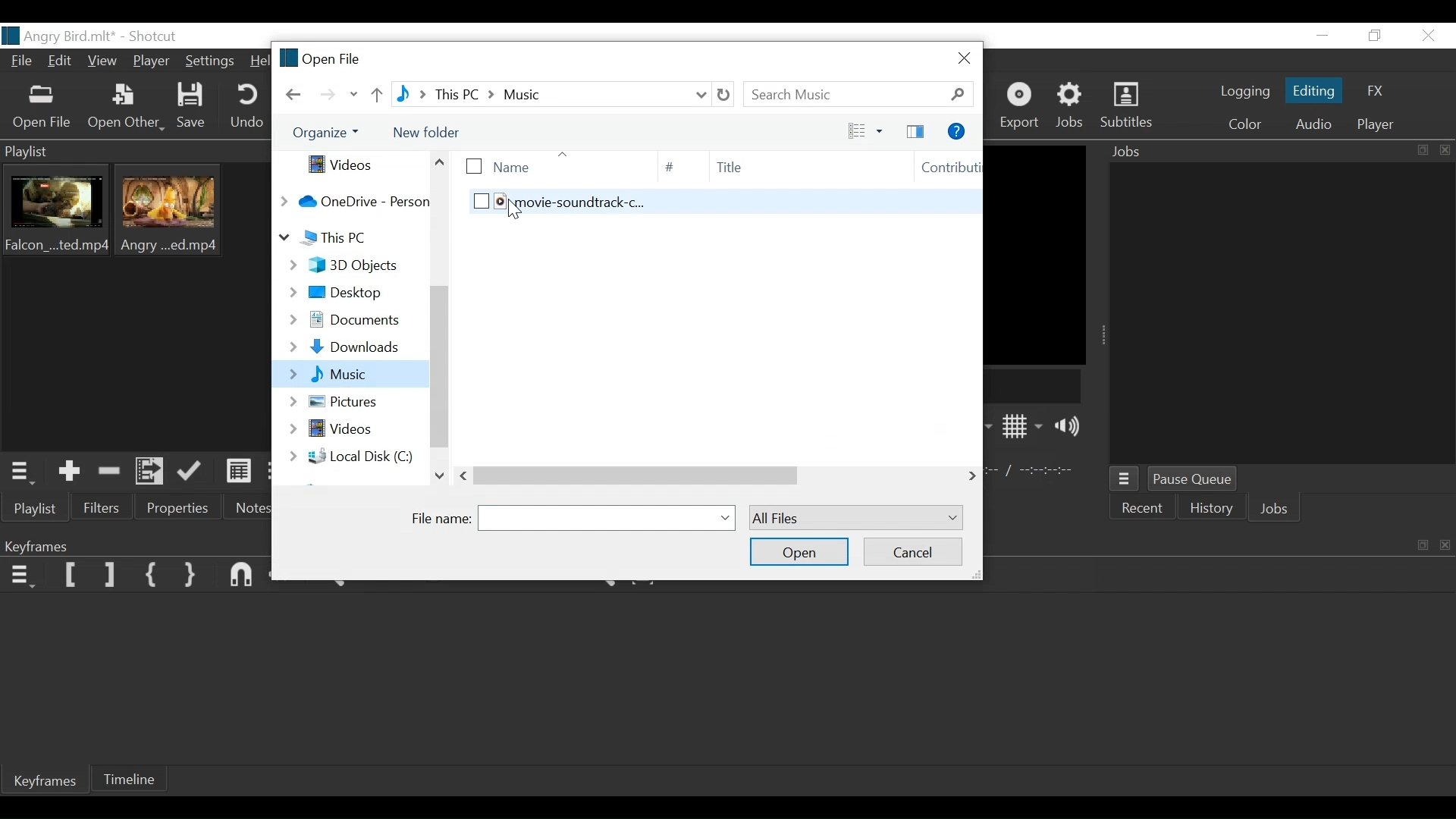  I want to click on Undo, so click(249, 108).